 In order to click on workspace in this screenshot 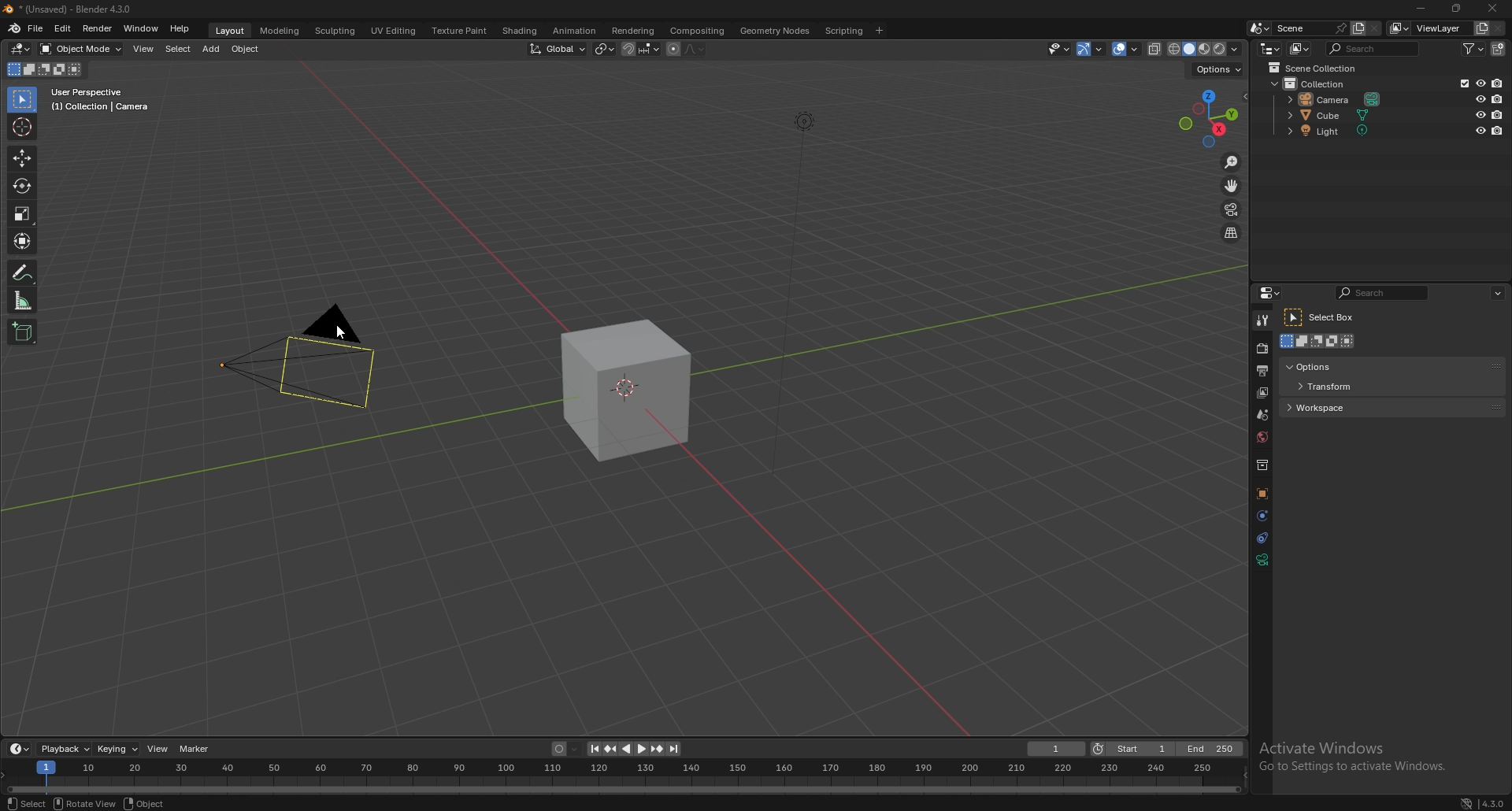, I will do `click(1335, 406)`.